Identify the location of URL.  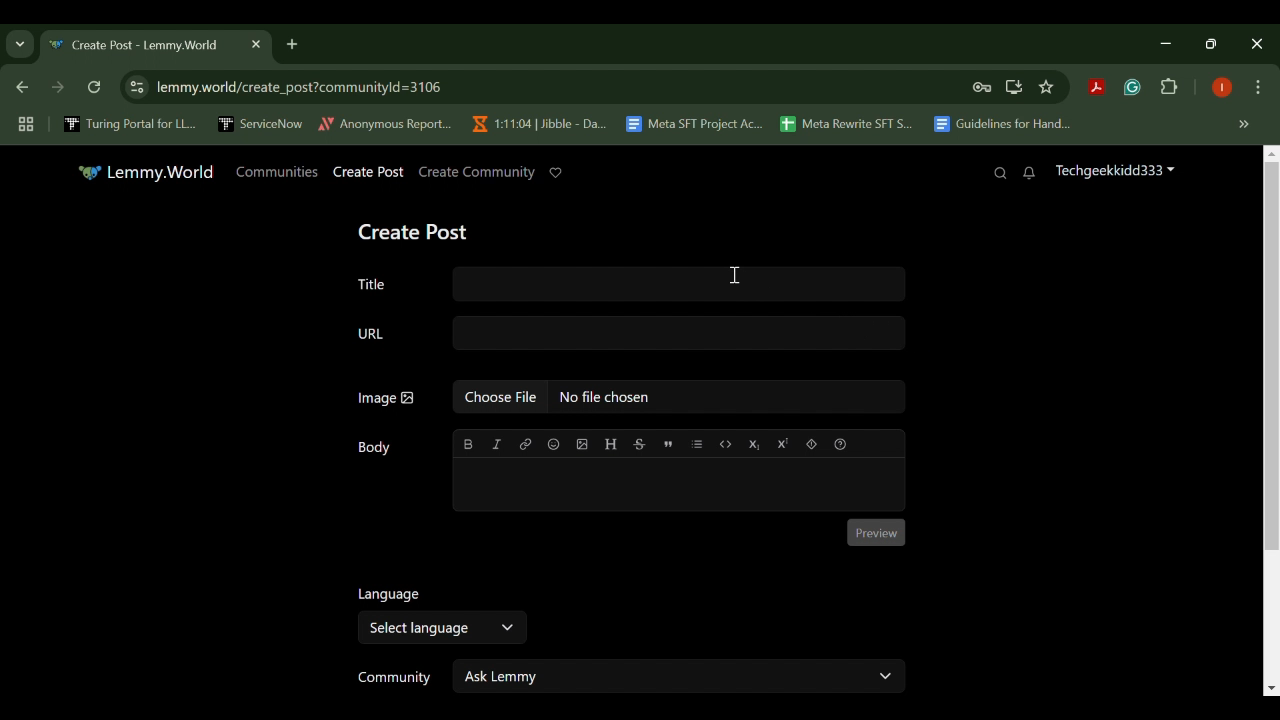
(630, 334).